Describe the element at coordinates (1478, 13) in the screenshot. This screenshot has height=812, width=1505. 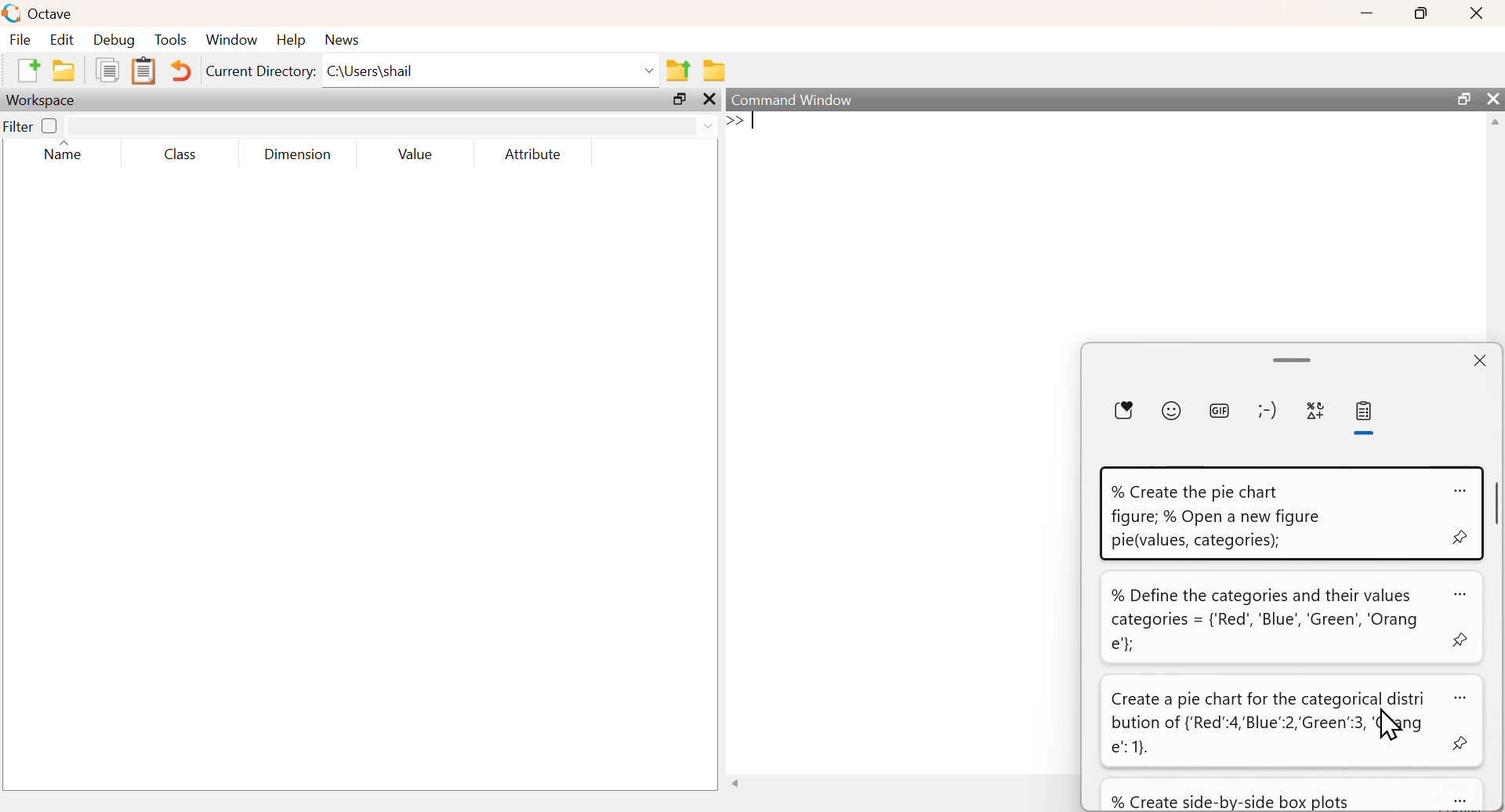
I see `close` at that location.